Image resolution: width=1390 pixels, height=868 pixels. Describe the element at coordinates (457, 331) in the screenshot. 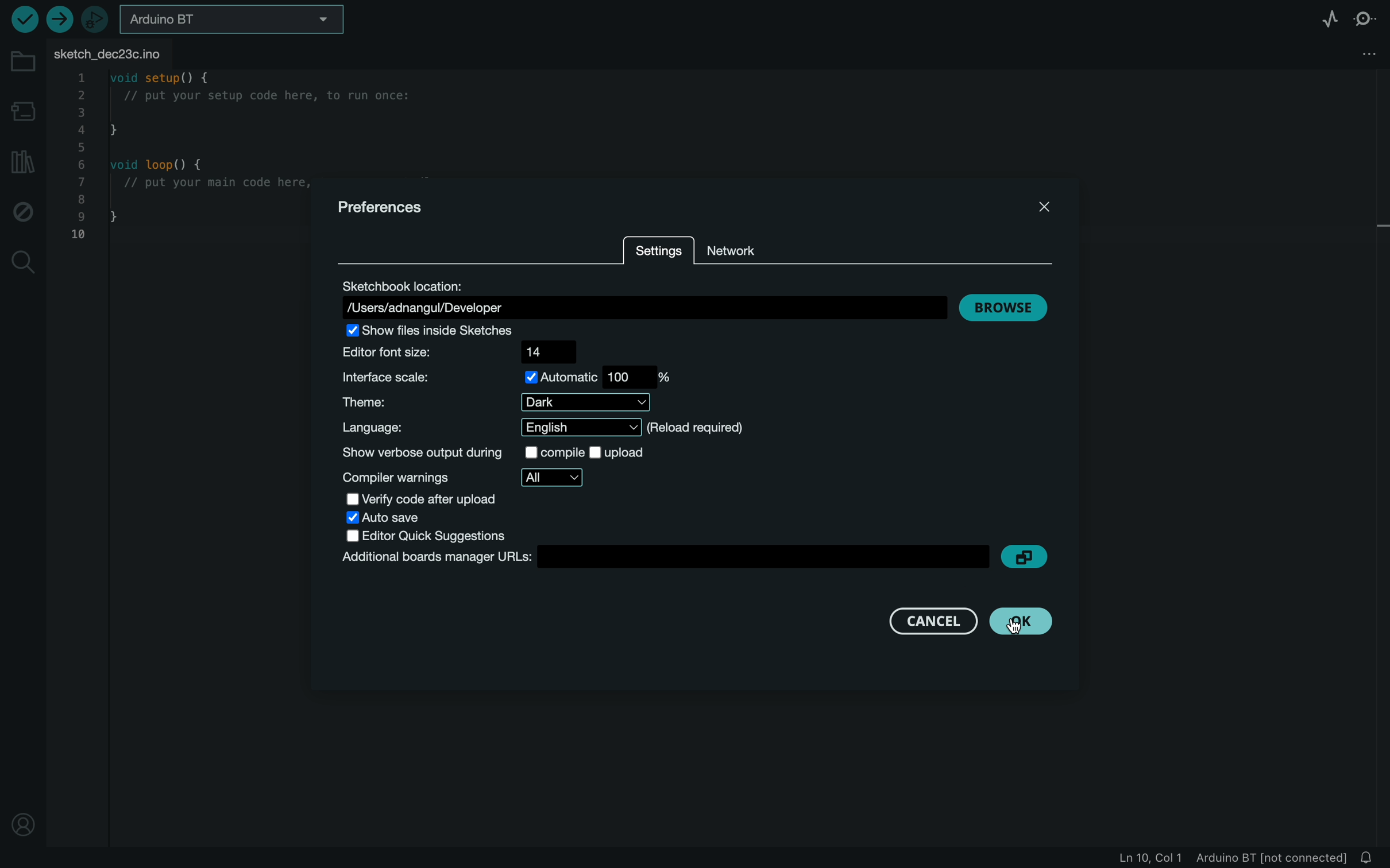

I see `show file` at that location.